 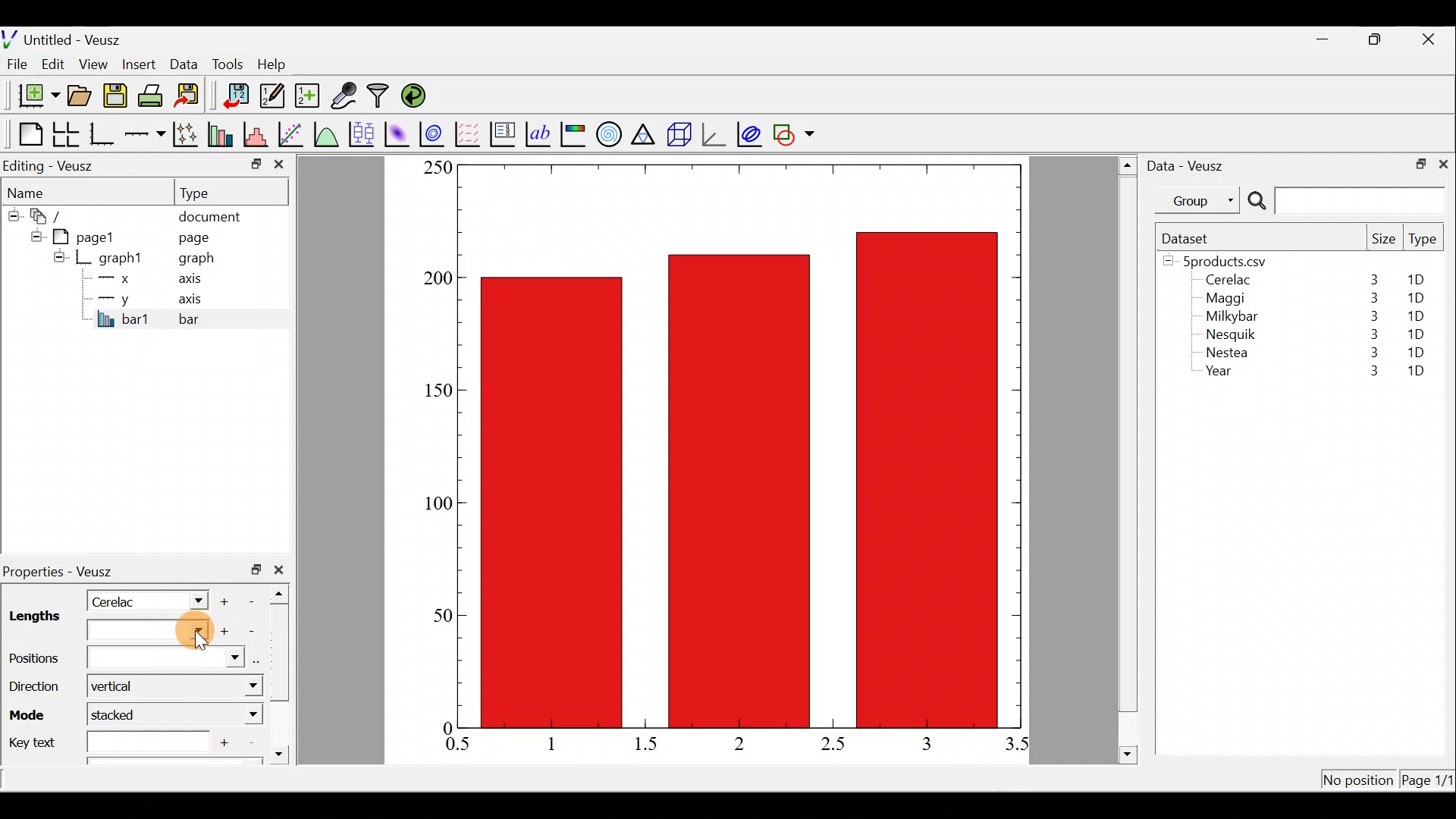 I want to click on Tools, so click(x=227, y=63).